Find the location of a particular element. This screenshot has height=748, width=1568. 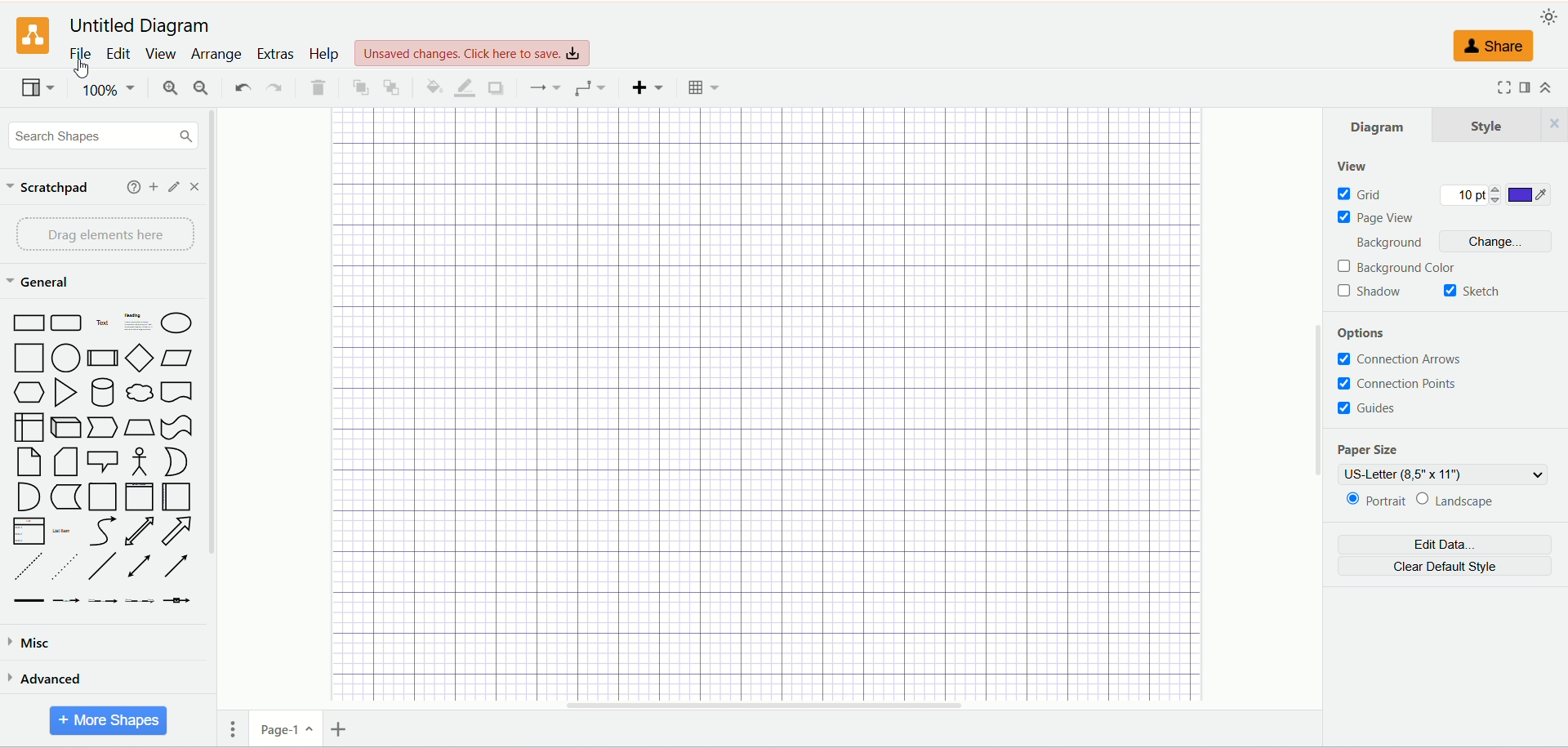

Stick Figure is located at coordinates (139, 462).